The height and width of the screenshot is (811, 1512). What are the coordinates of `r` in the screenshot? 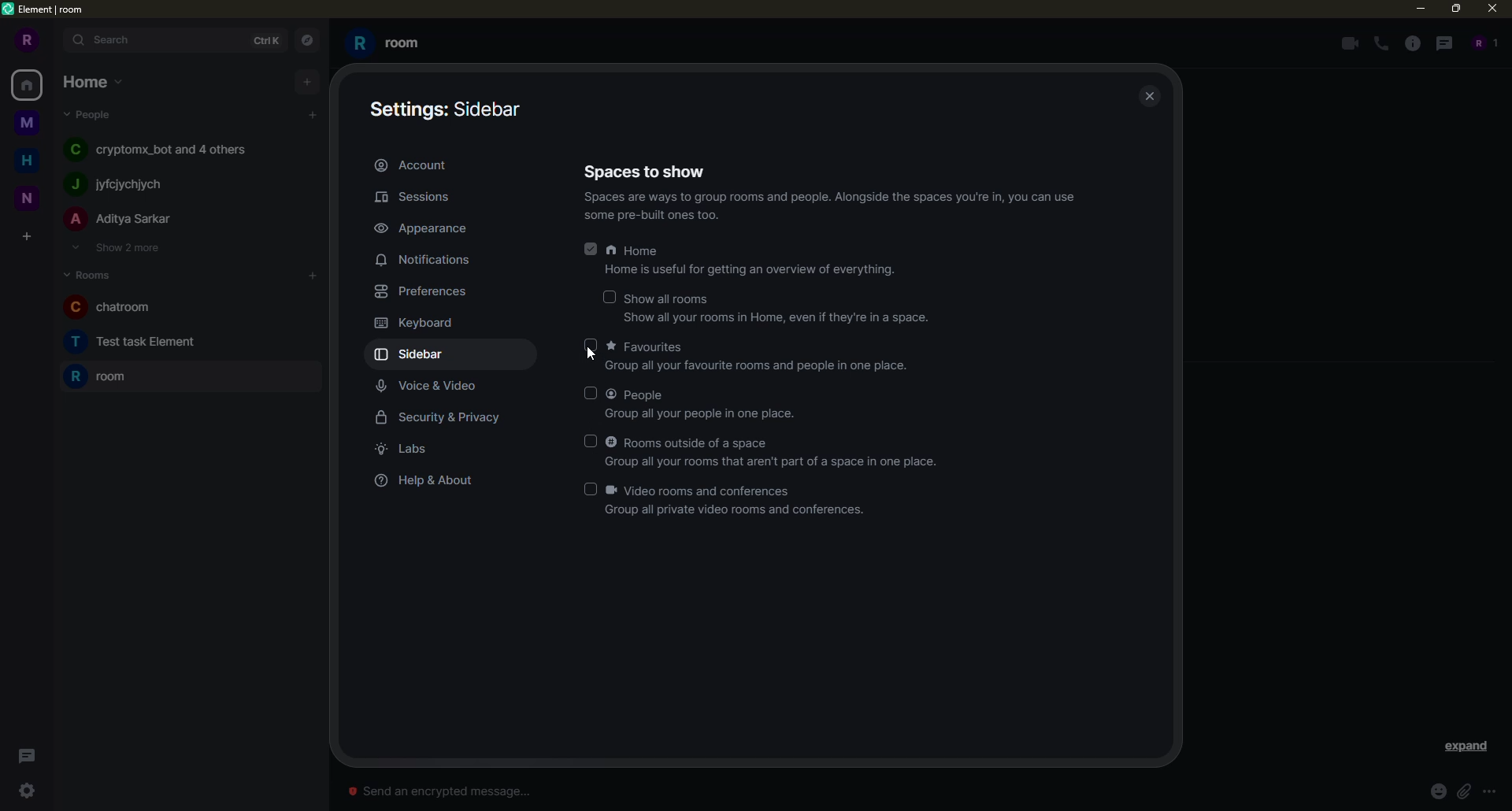 It's located at (24, 41).